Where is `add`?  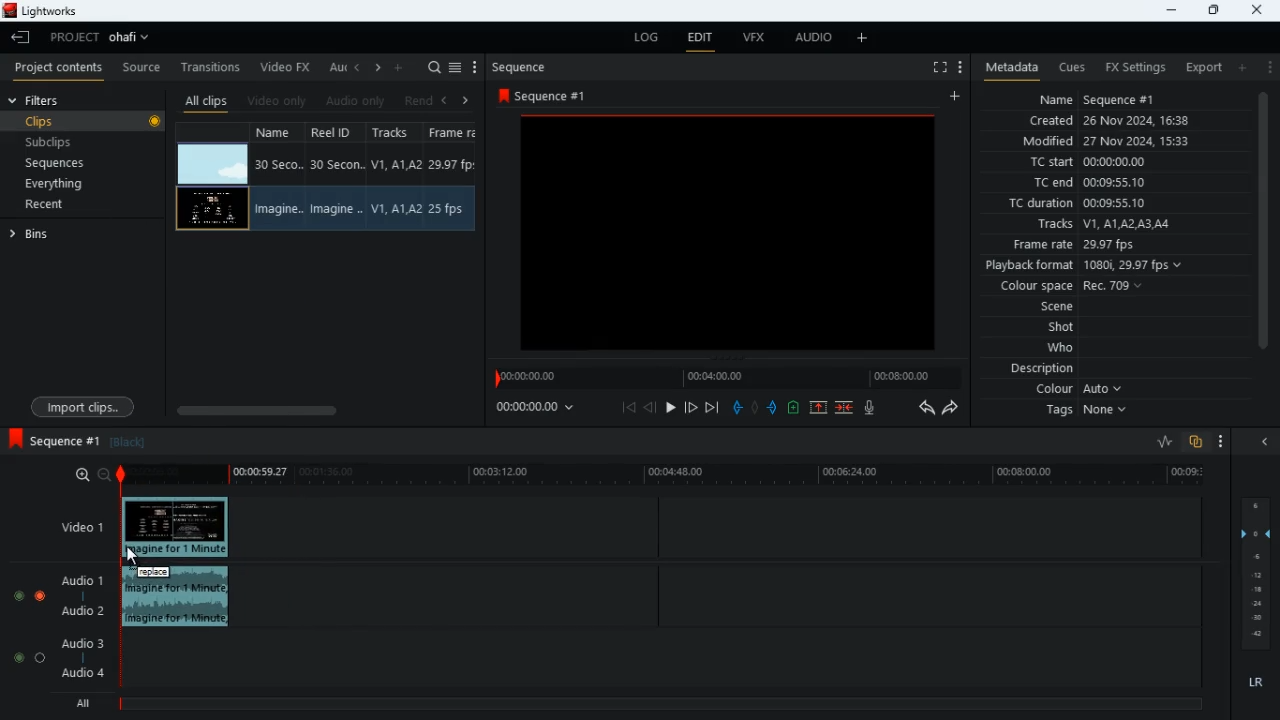 add is located at coordinates (1247, 68).